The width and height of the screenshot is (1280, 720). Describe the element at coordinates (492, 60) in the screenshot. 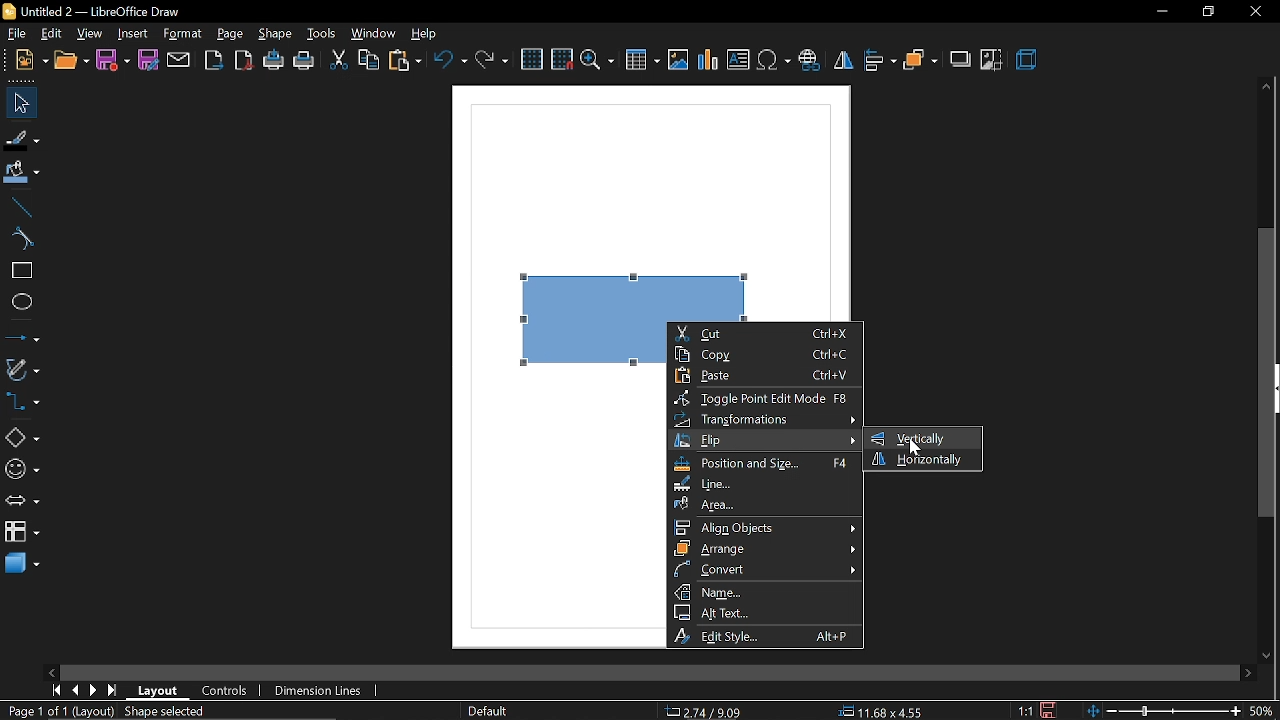

I see `redo` at that location.